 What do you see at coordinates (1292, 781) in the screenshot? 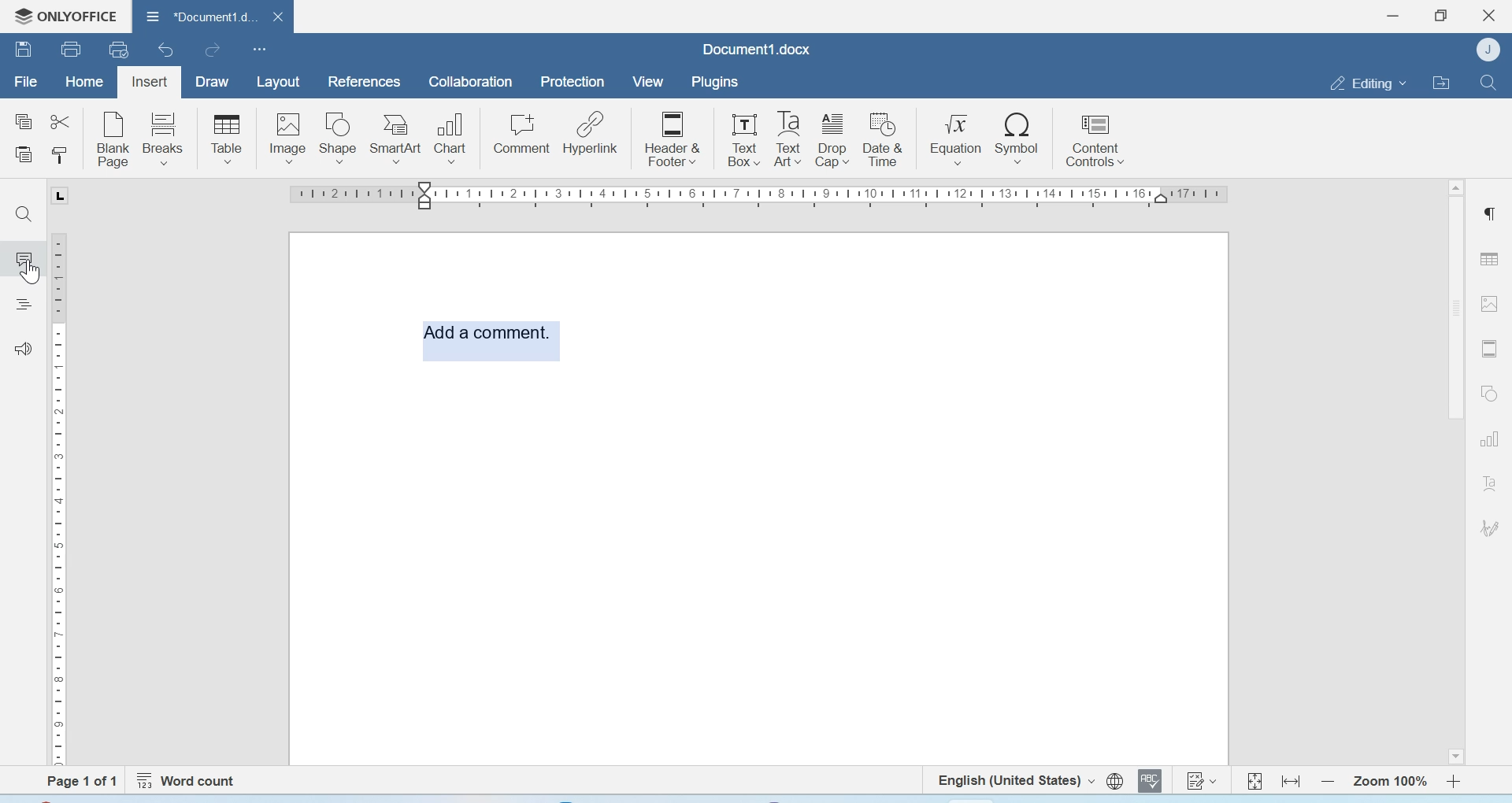
I see `Fit to width` at bounding box center [1292, 781].